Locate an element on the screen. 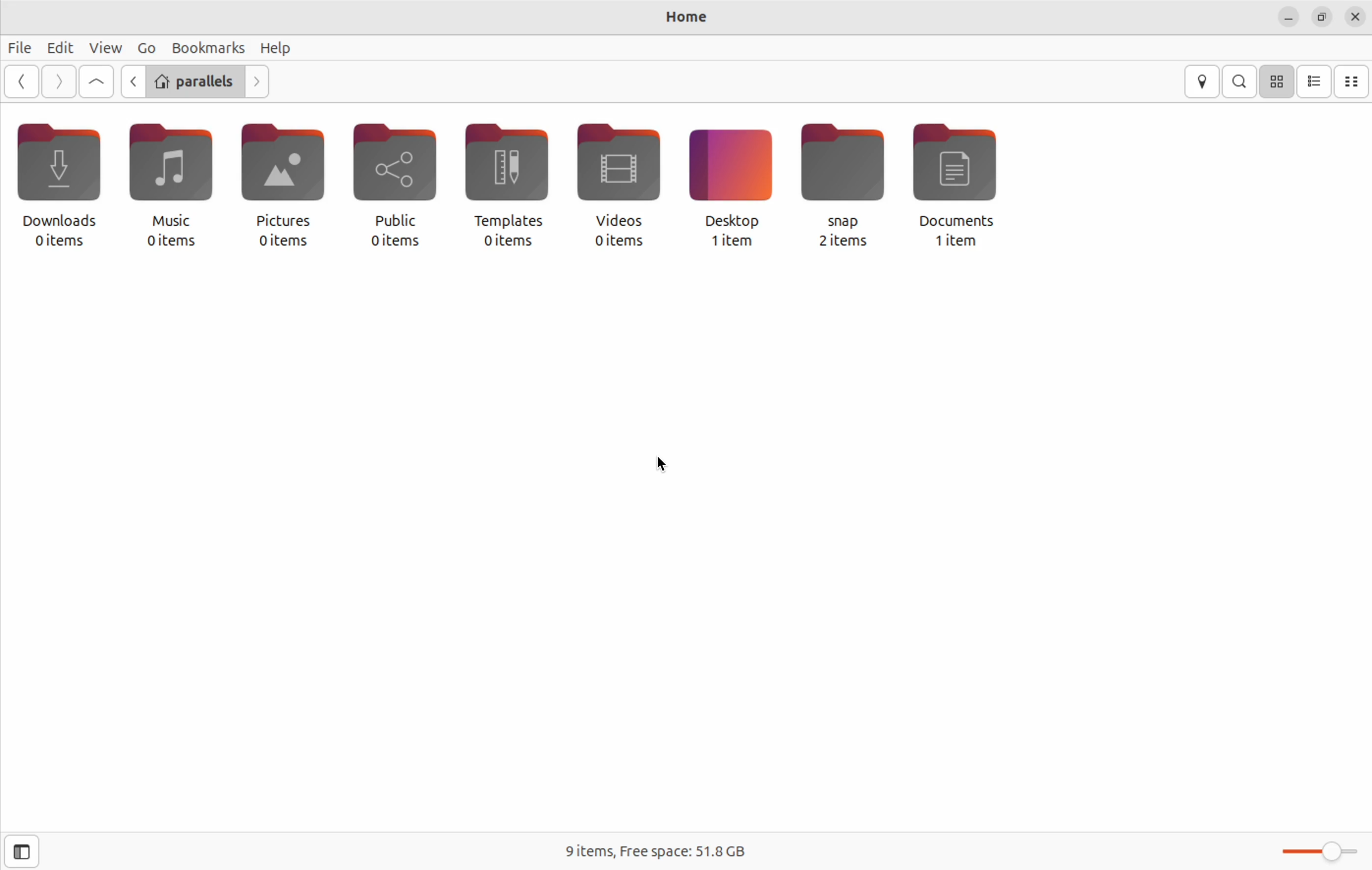 This screenshot has width=1372, height=870. edit is located at coordinates (59, 46).